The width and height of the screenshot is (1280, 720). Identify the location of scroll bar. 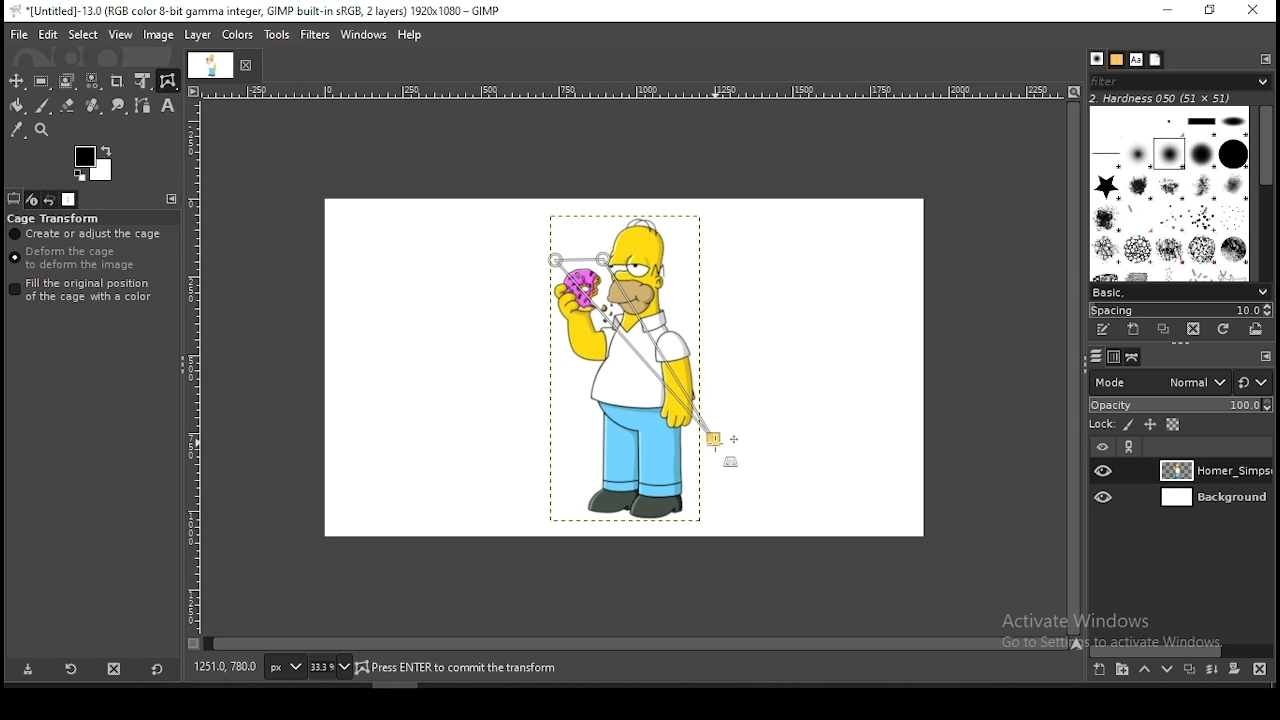
(1264, 190).